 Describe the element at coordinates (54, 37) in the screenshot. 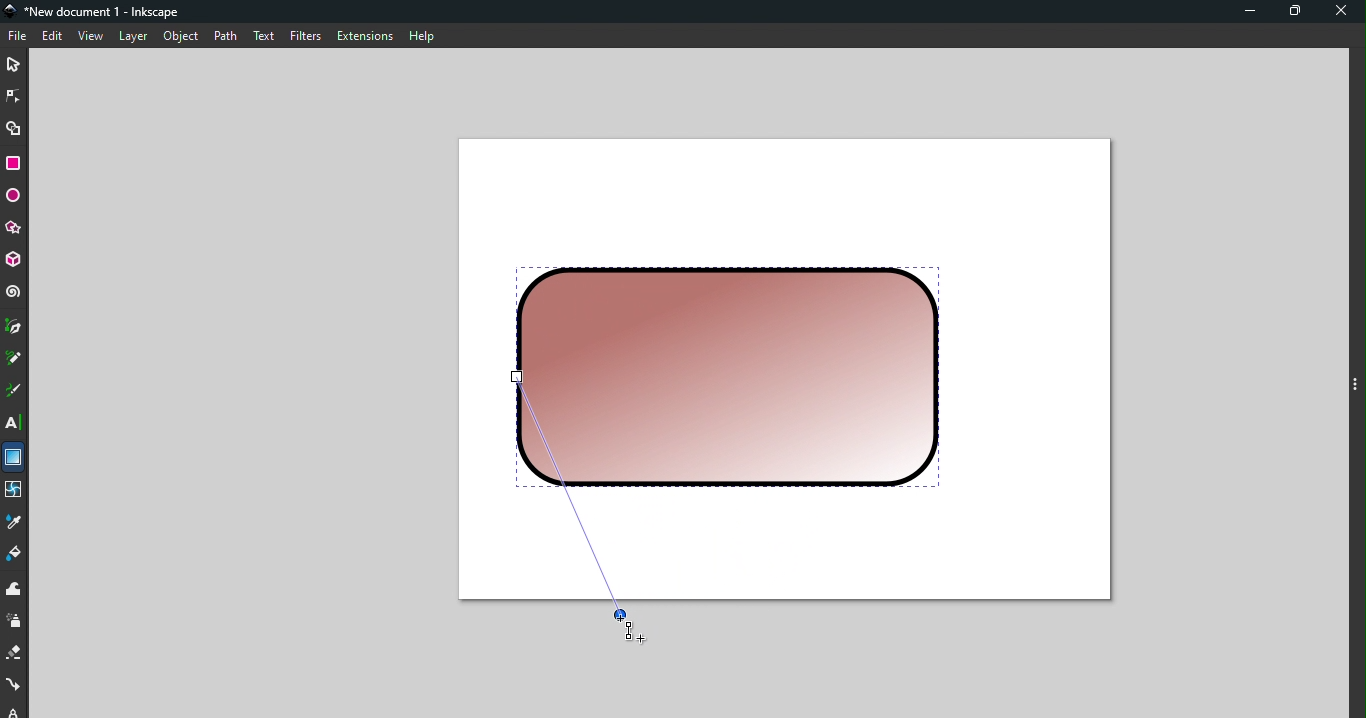

I see `Edit` at that location.